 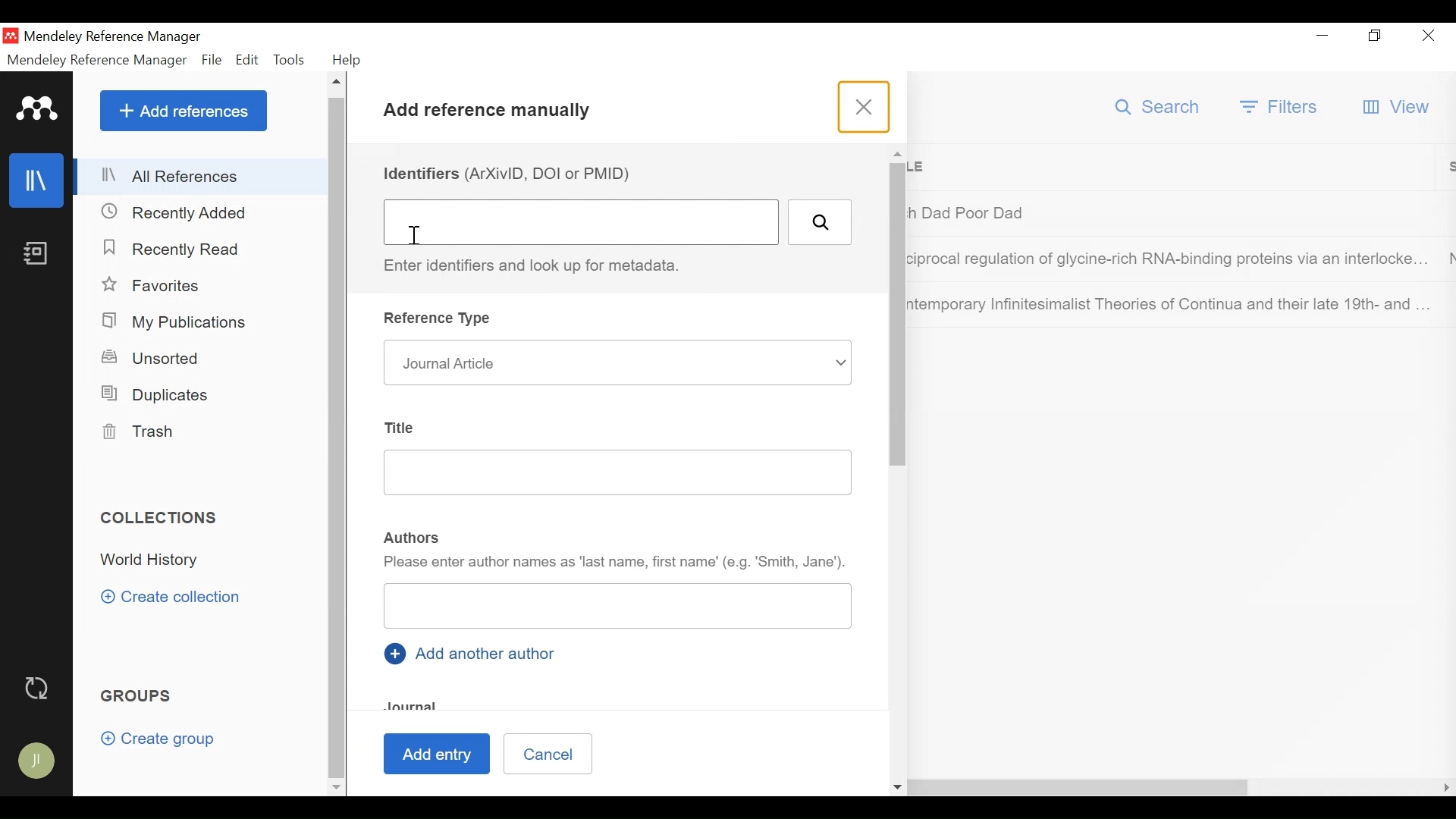 What do you see at coordinates (118, 36) in the screenshot?
I see `Mendeley Reference Manager` at bounding box center [118, 36].